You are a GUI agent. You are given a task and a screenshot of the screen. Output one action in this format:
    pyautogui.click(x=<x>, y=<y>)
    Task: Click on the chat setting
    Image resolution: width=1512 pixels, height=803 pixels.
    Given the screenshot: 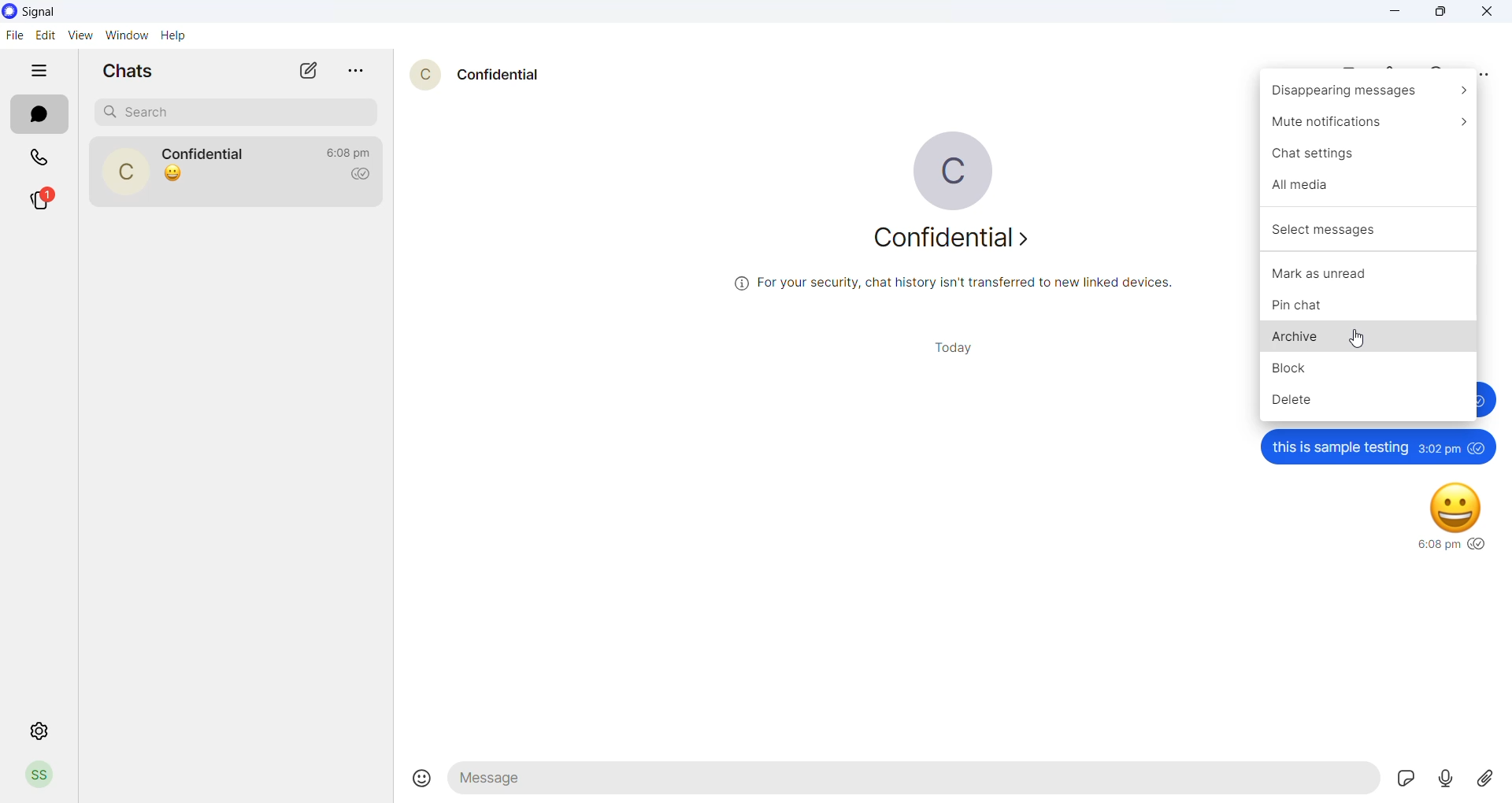 What is the action you would take?
    pyautogui.click(x=1364, y=157)
    